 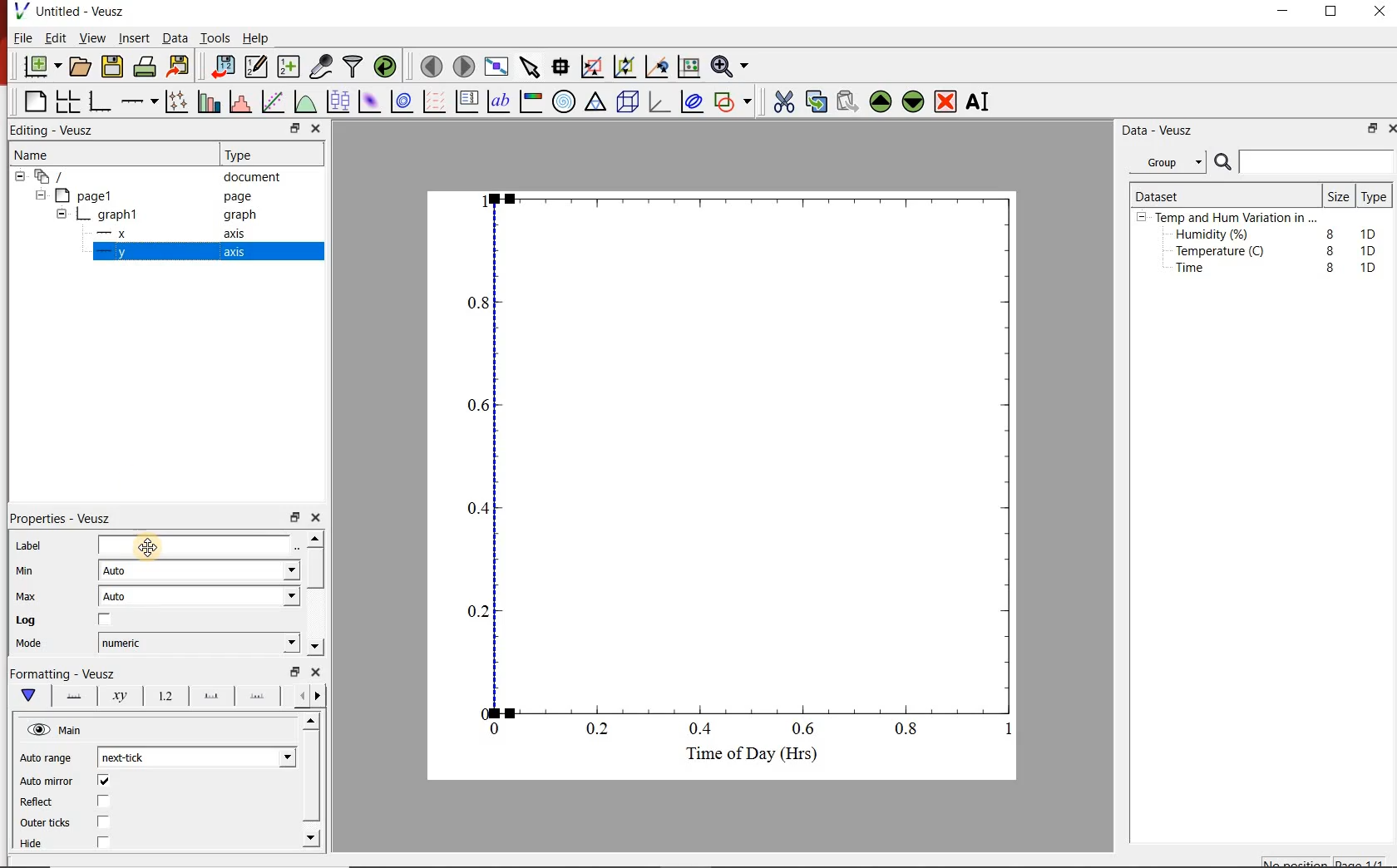 I want to click on arrange graphs in a grid, so click(x=70, y=99).